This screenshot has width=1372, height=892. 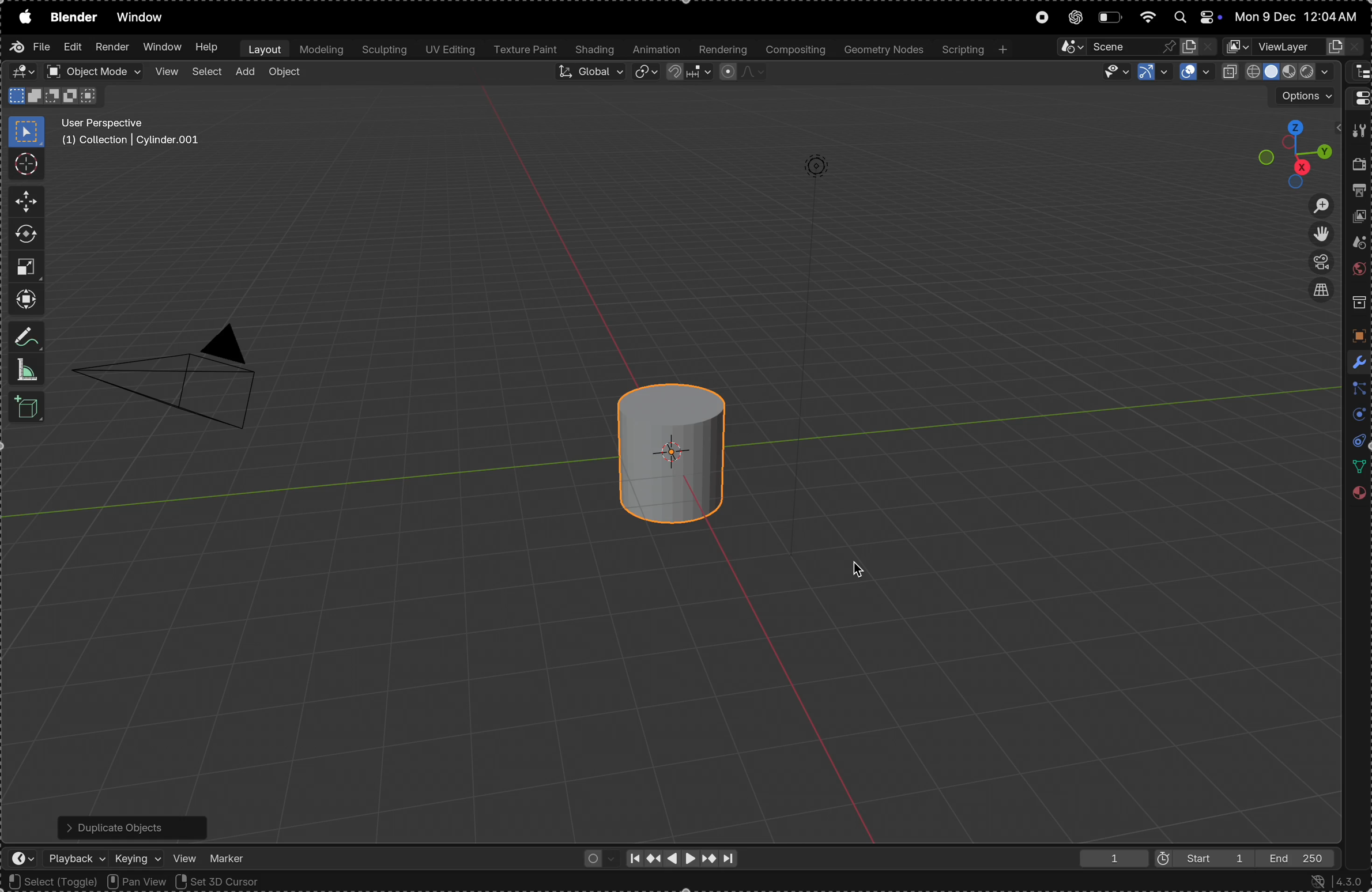 I want to click on add cube, so click(x=29, y=409).